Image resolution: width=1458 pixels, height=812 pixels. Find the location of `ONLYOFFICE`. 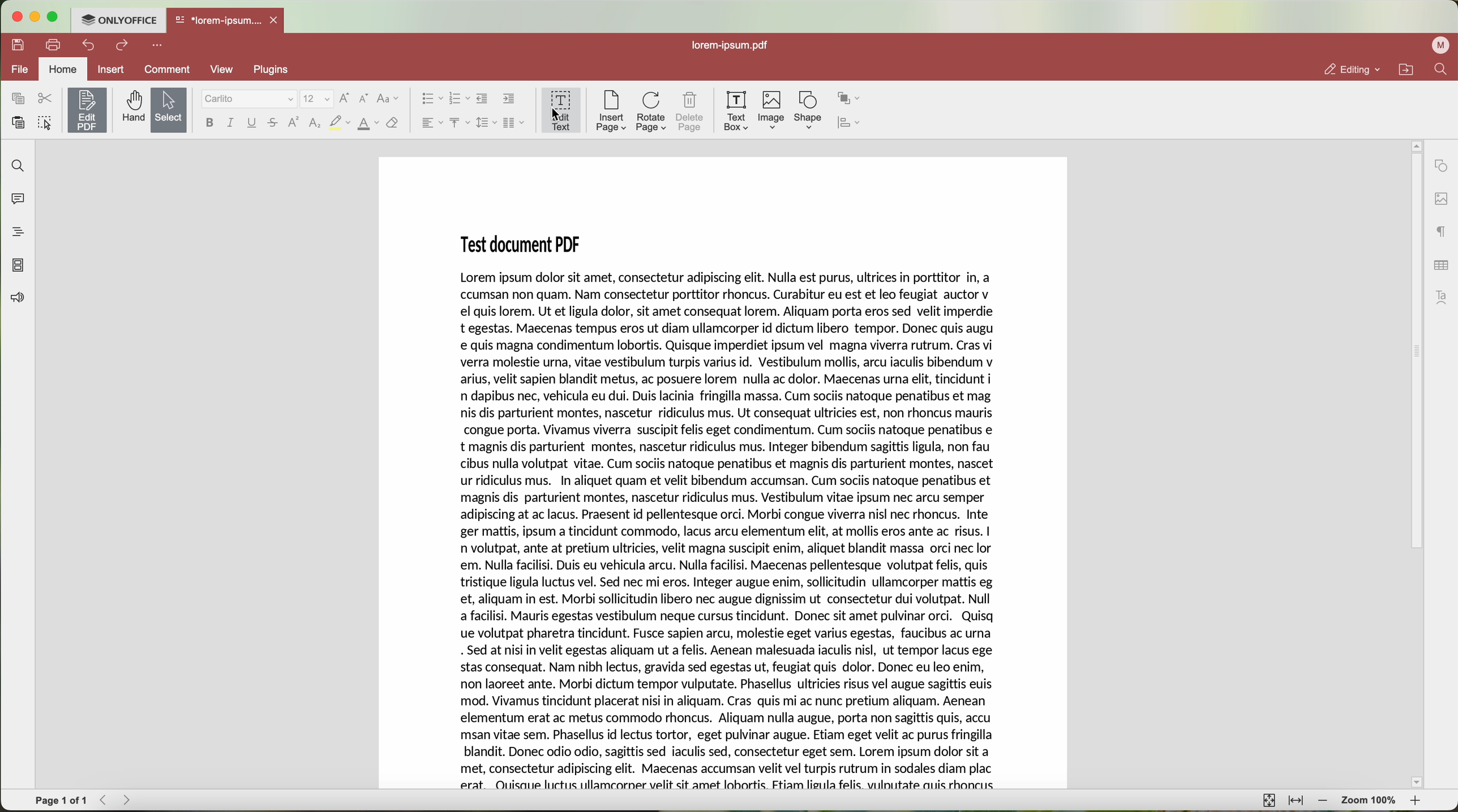

ONLYOFFICE is located at coordinates (120, 21).